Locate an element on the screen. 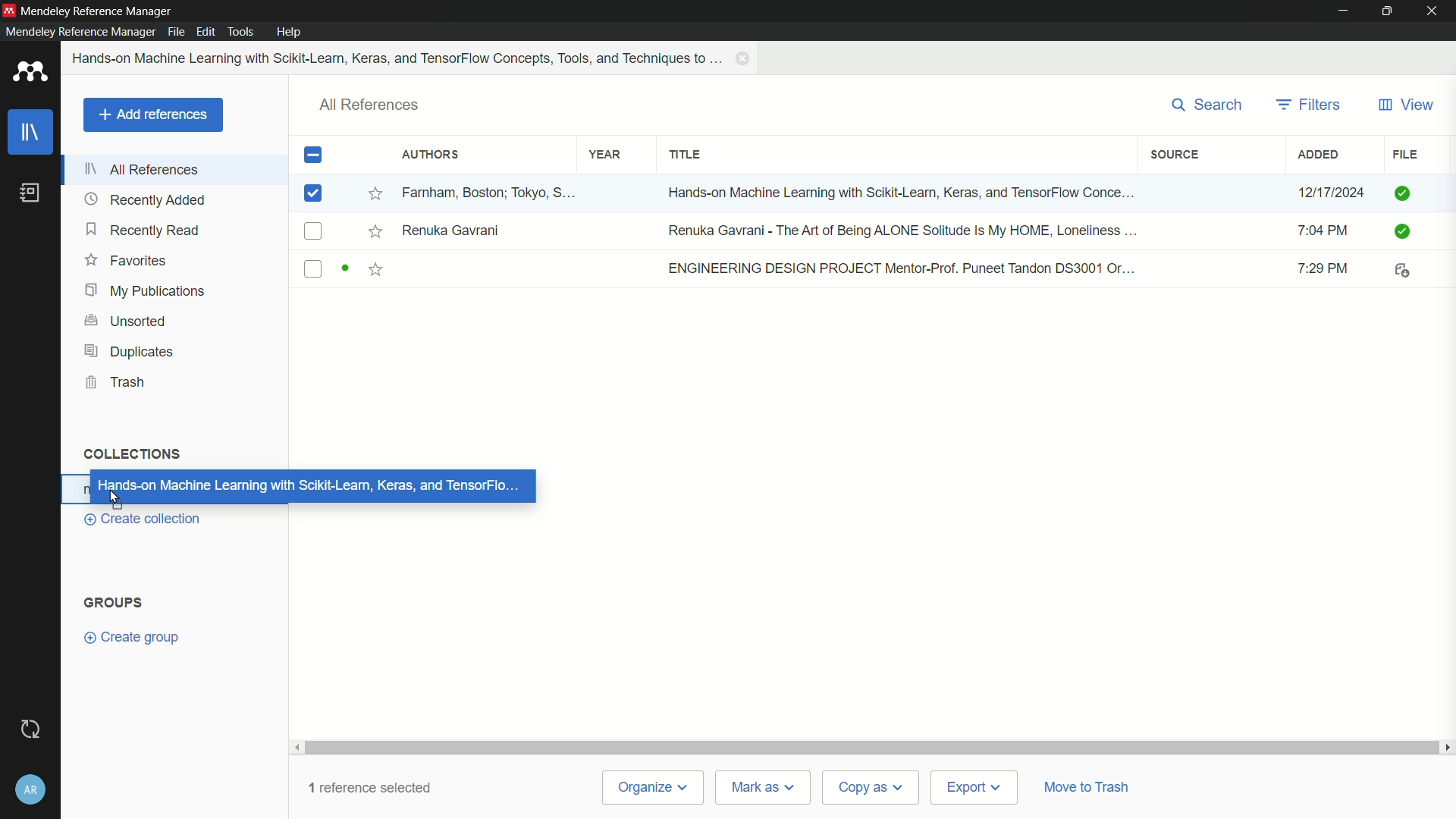  check box is located at coordinates (313, 155).